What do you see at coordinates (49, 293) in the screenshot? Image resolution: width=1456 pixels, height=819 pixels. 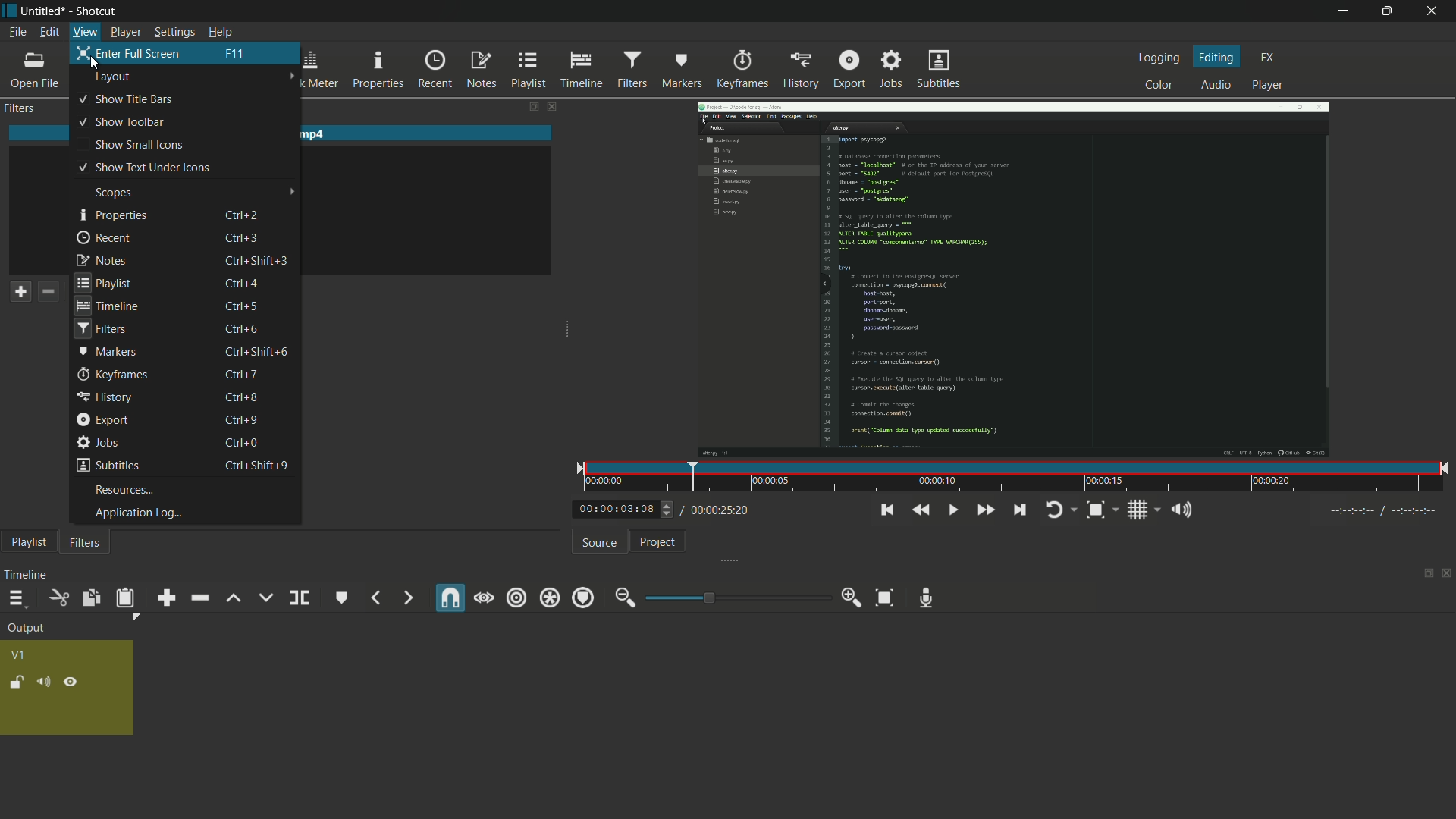 I see `remove filter` at bounding box center [49, 293].